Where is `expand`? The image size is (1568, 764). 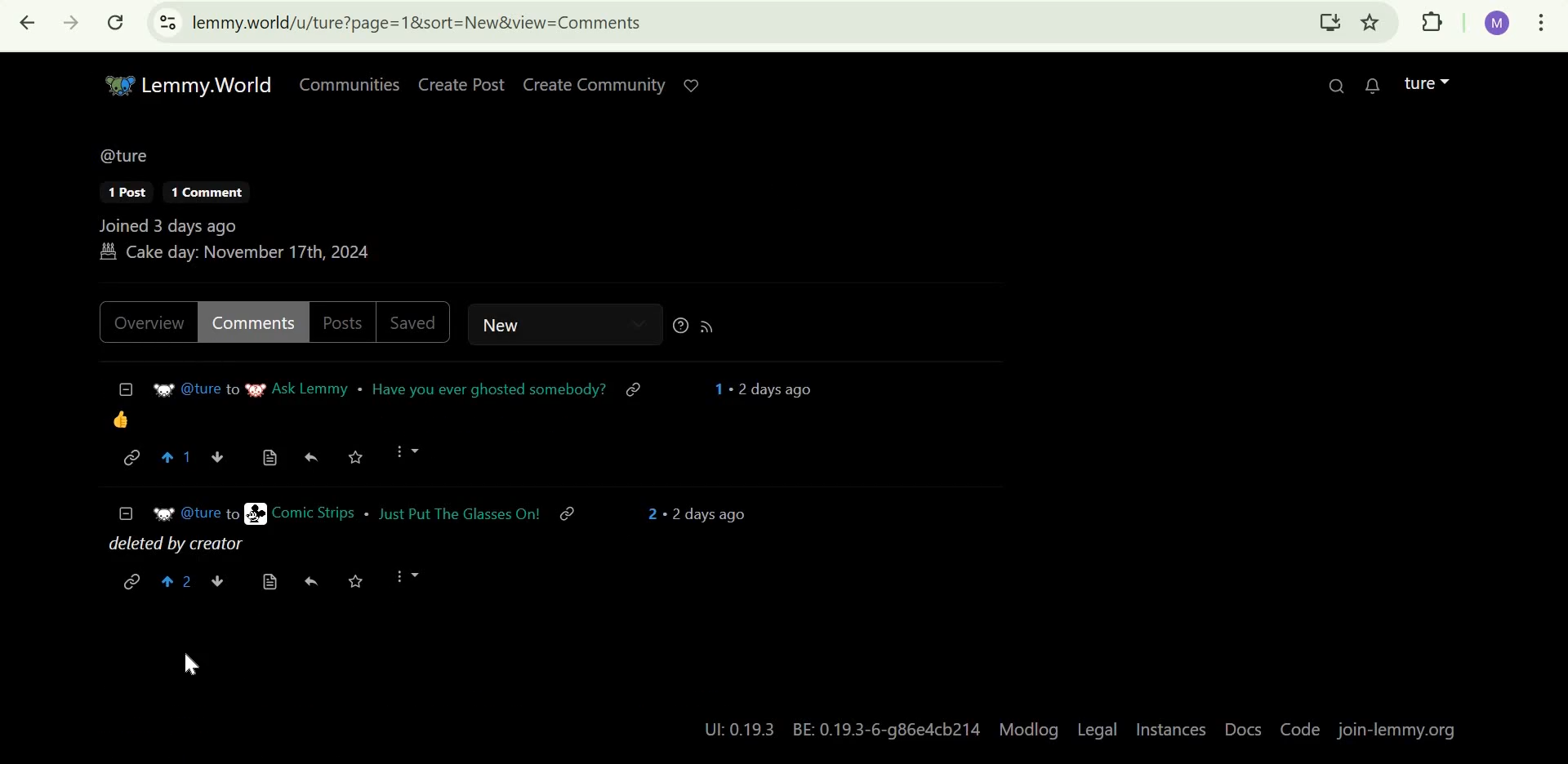 expand is located at coordinates (1450, 80).